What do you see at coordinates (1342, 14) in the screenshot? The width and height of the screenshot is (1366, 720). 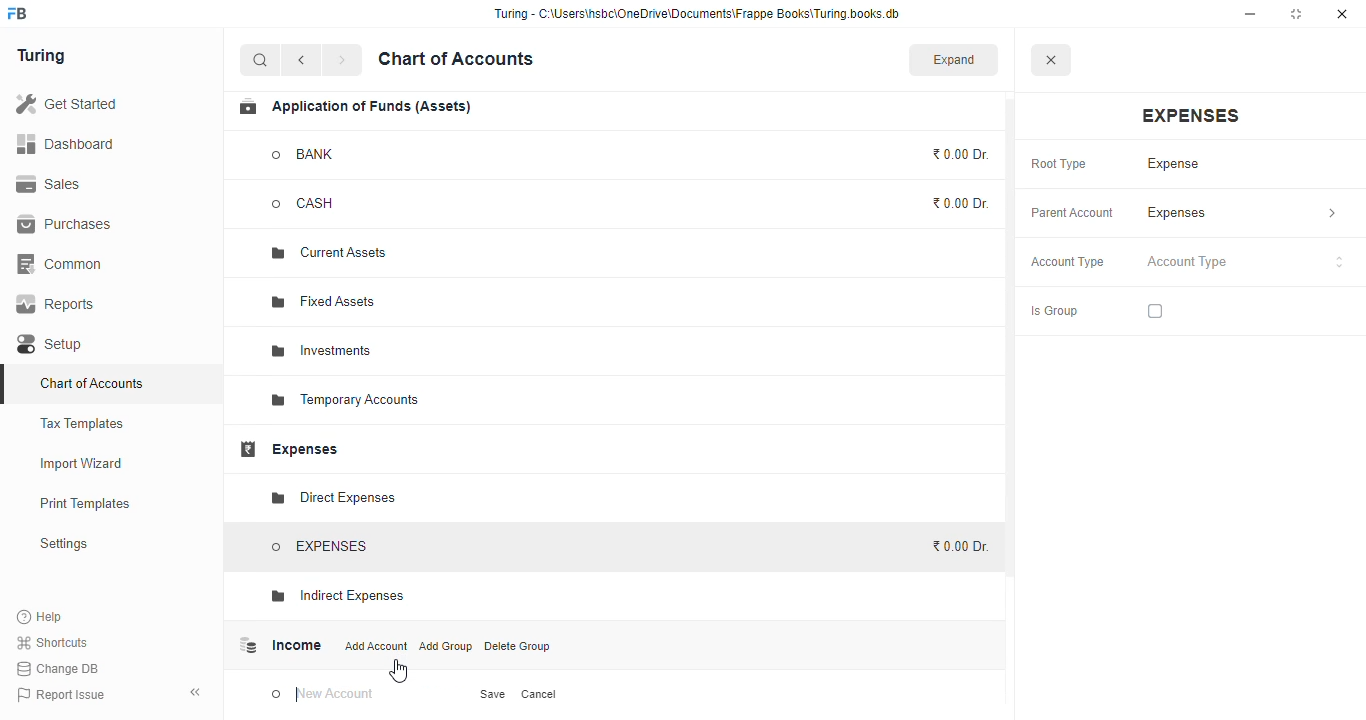 I see `close` at bounding box center [1342, 14].